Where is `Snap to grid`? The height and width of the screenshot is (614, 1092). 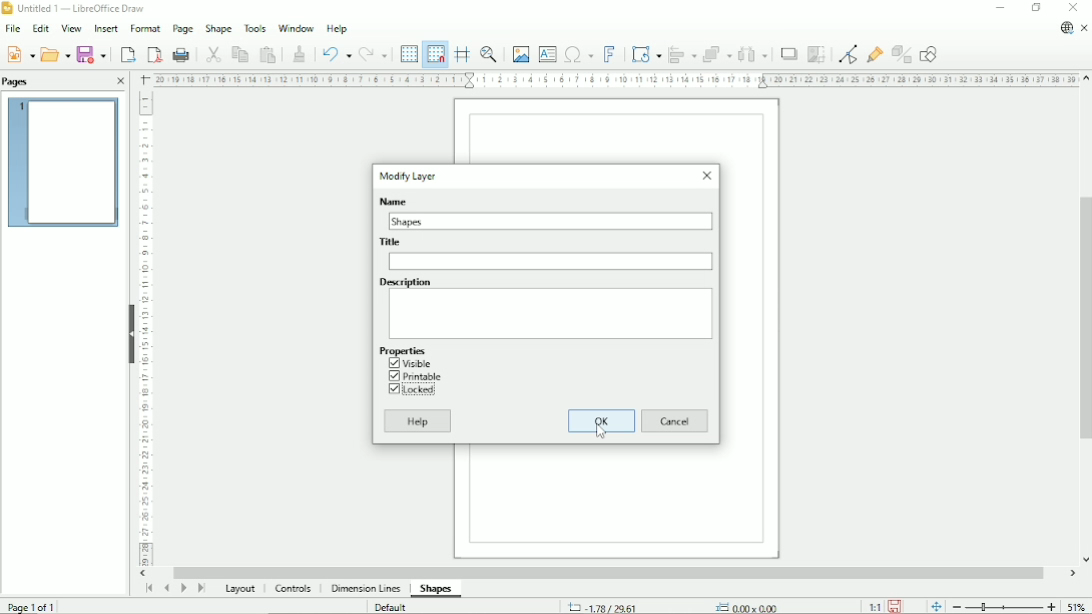
Snap to grid is located at coordinates (435, 54).